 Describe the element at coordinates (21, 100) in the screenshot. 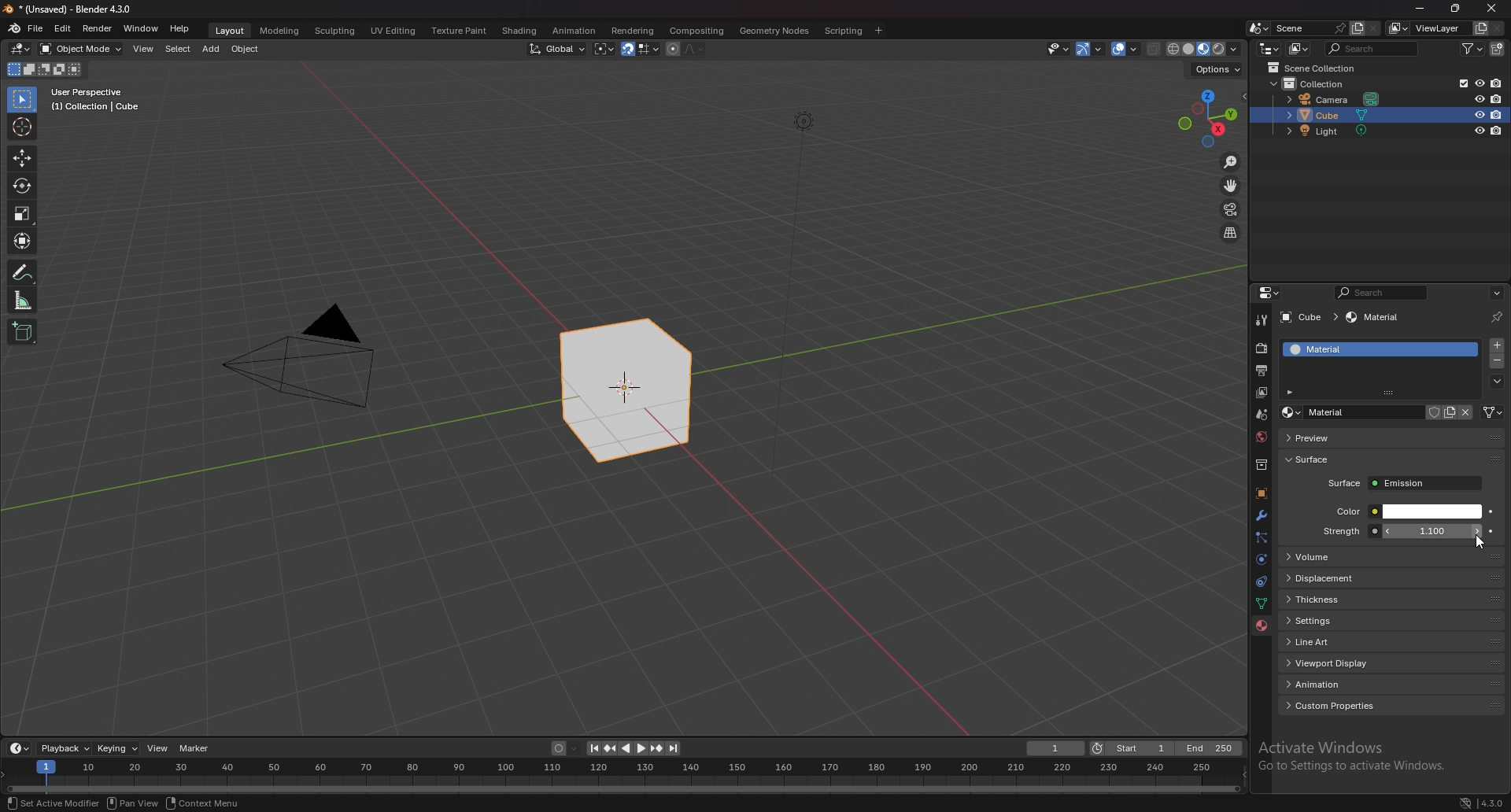

I see `selector` at that location.